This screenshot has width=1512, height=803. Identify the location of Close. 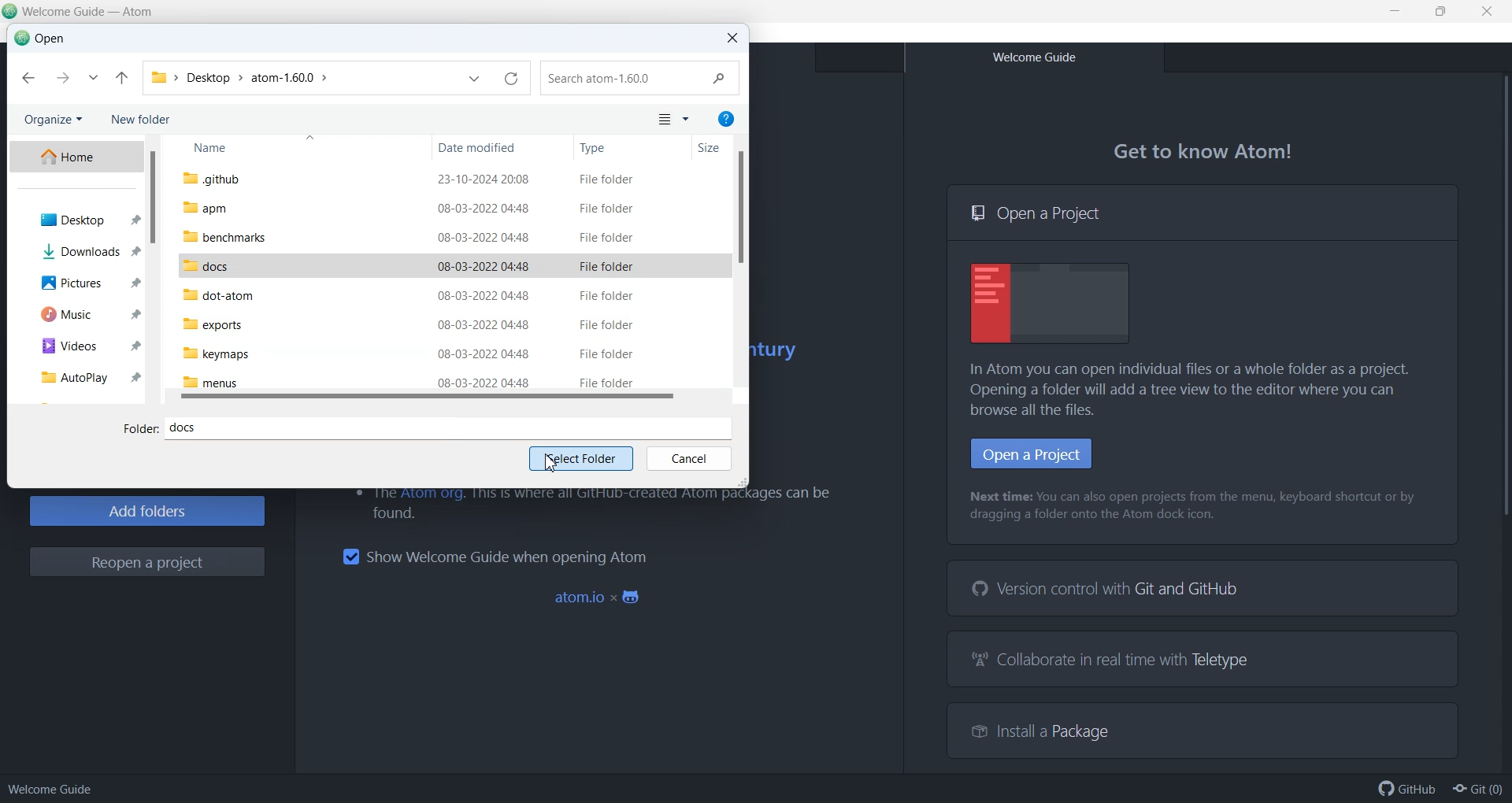
(732, 39).